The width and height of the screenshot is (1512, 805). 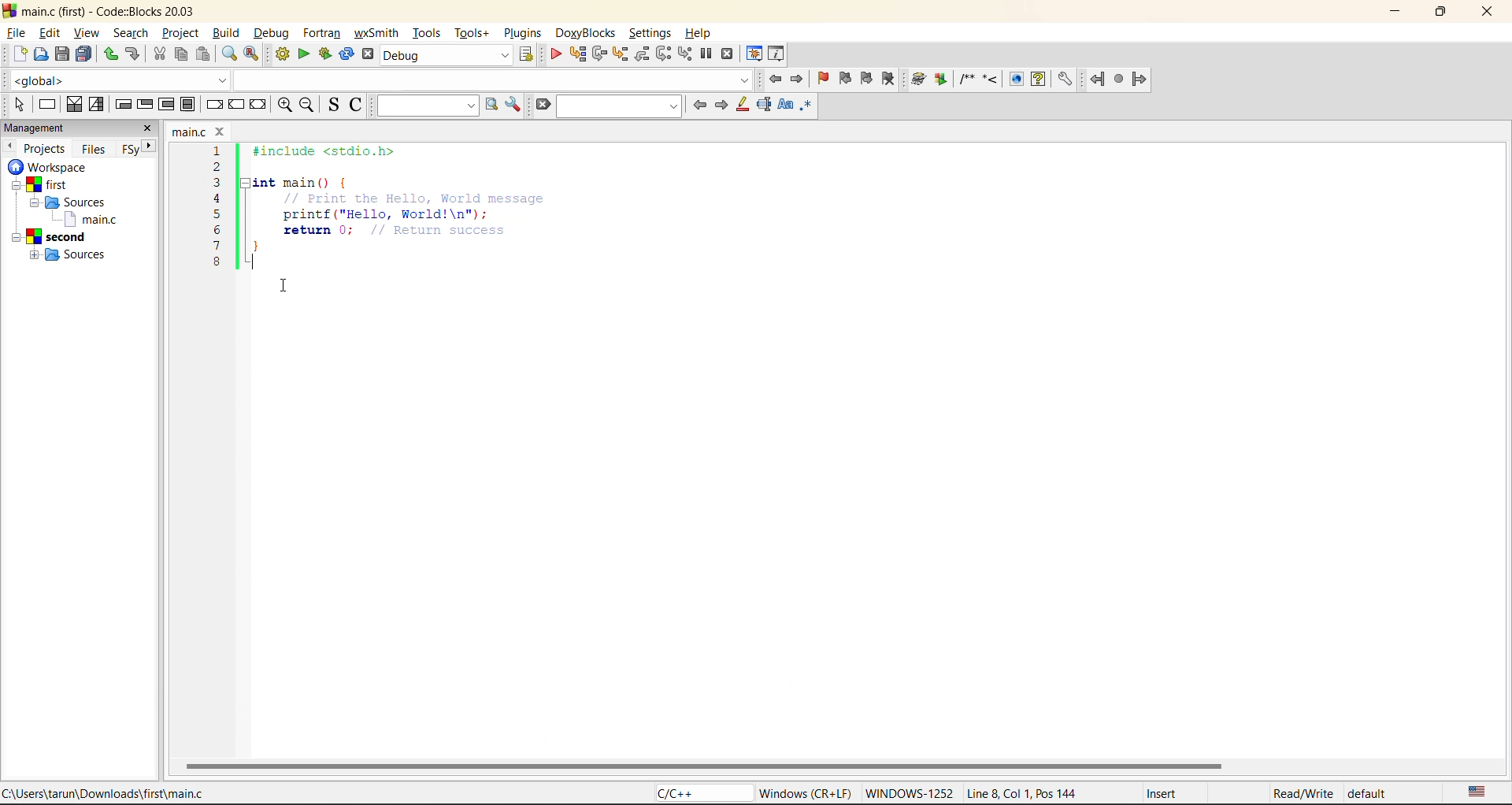 What do you see at coordinates (322, 33) in the screenshot?
I see `fortran` at bounding box center [322, 33].